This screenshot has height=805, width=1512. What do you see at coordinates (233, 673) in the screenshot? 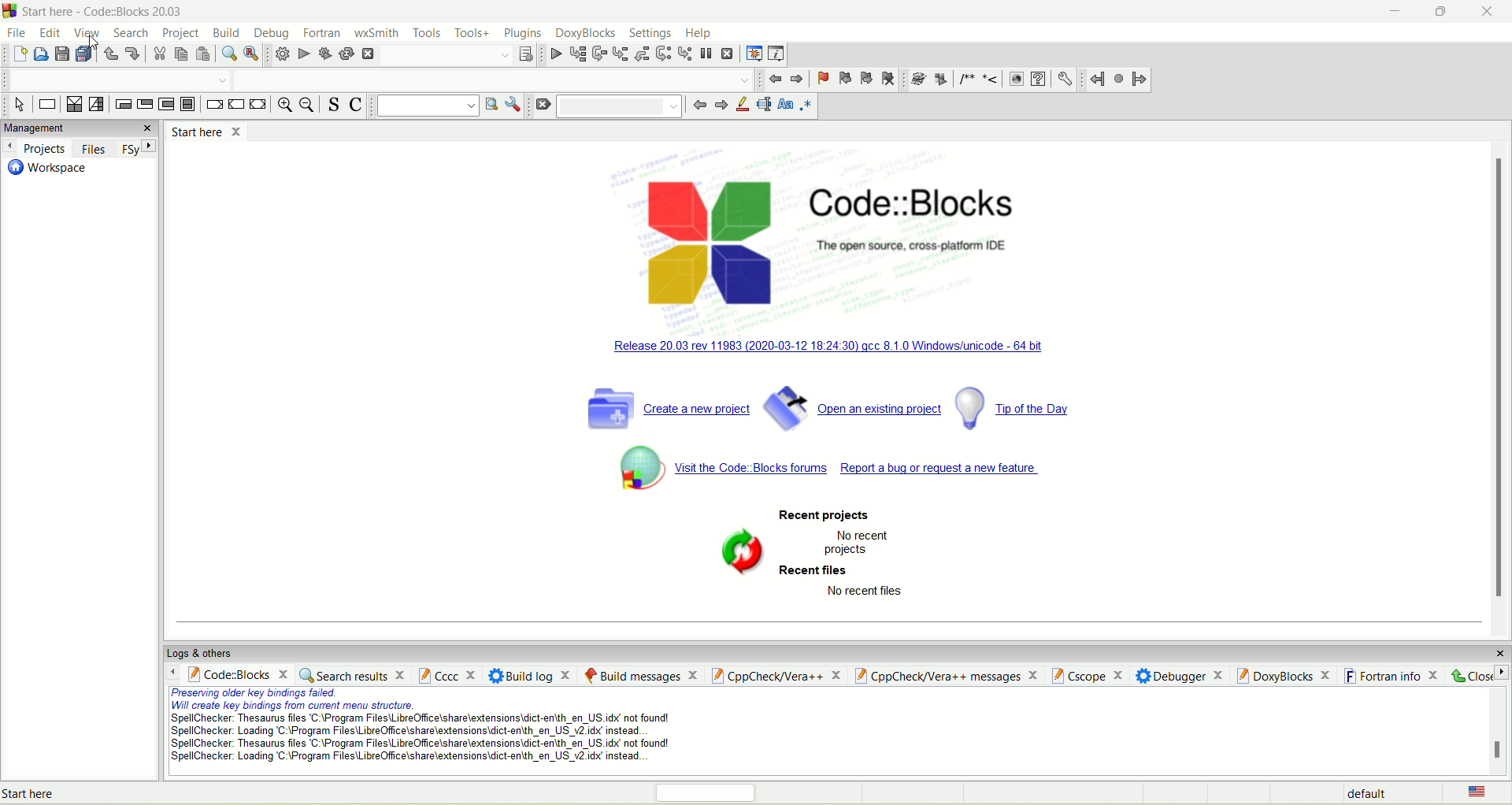
I see `code::block` at bounding box center [233, 673].